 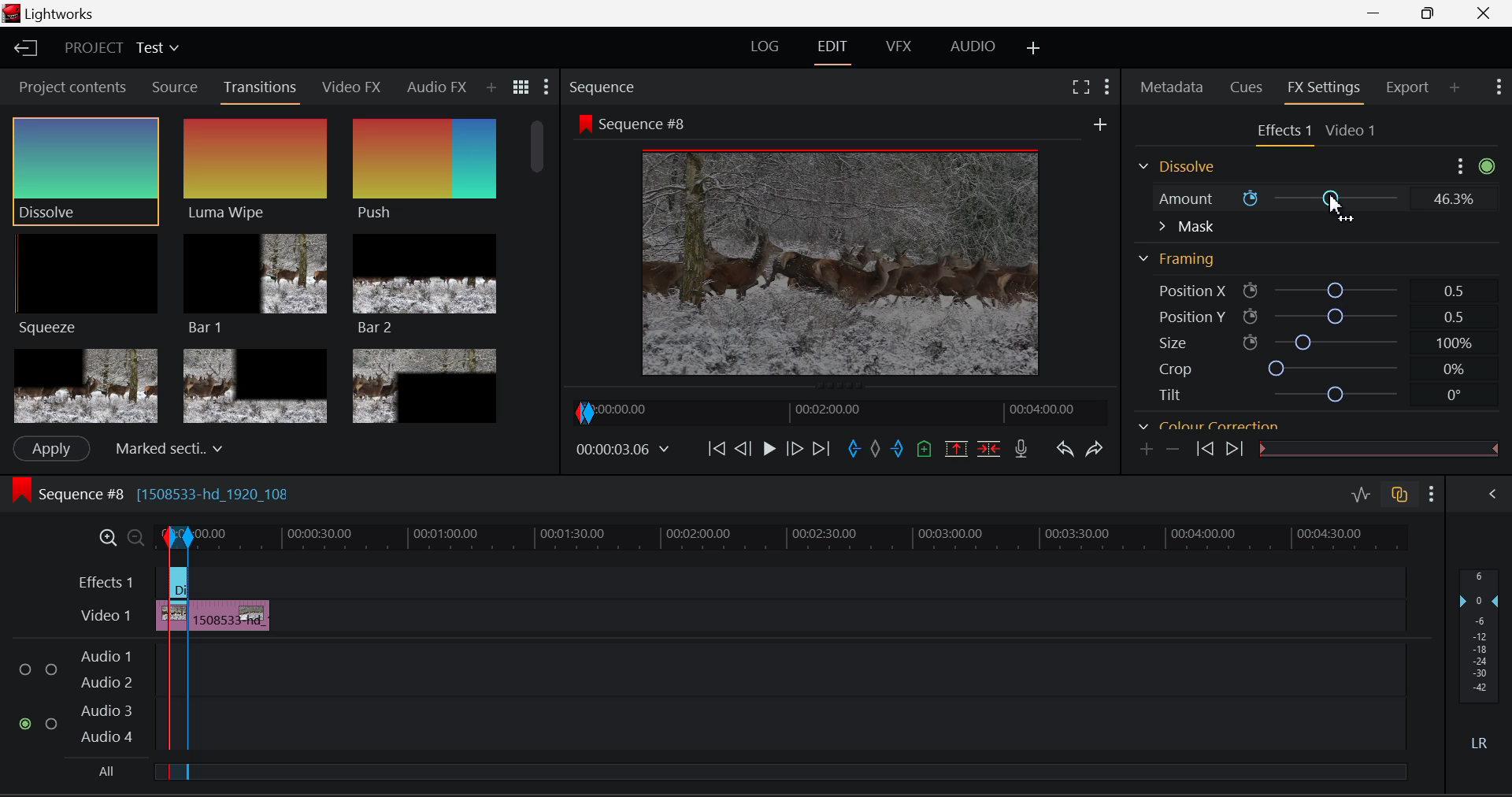 What do you see at coordinates (1455, 88) in the screenshot?
I see `Add Panel` at bounding box center [1455, 88].